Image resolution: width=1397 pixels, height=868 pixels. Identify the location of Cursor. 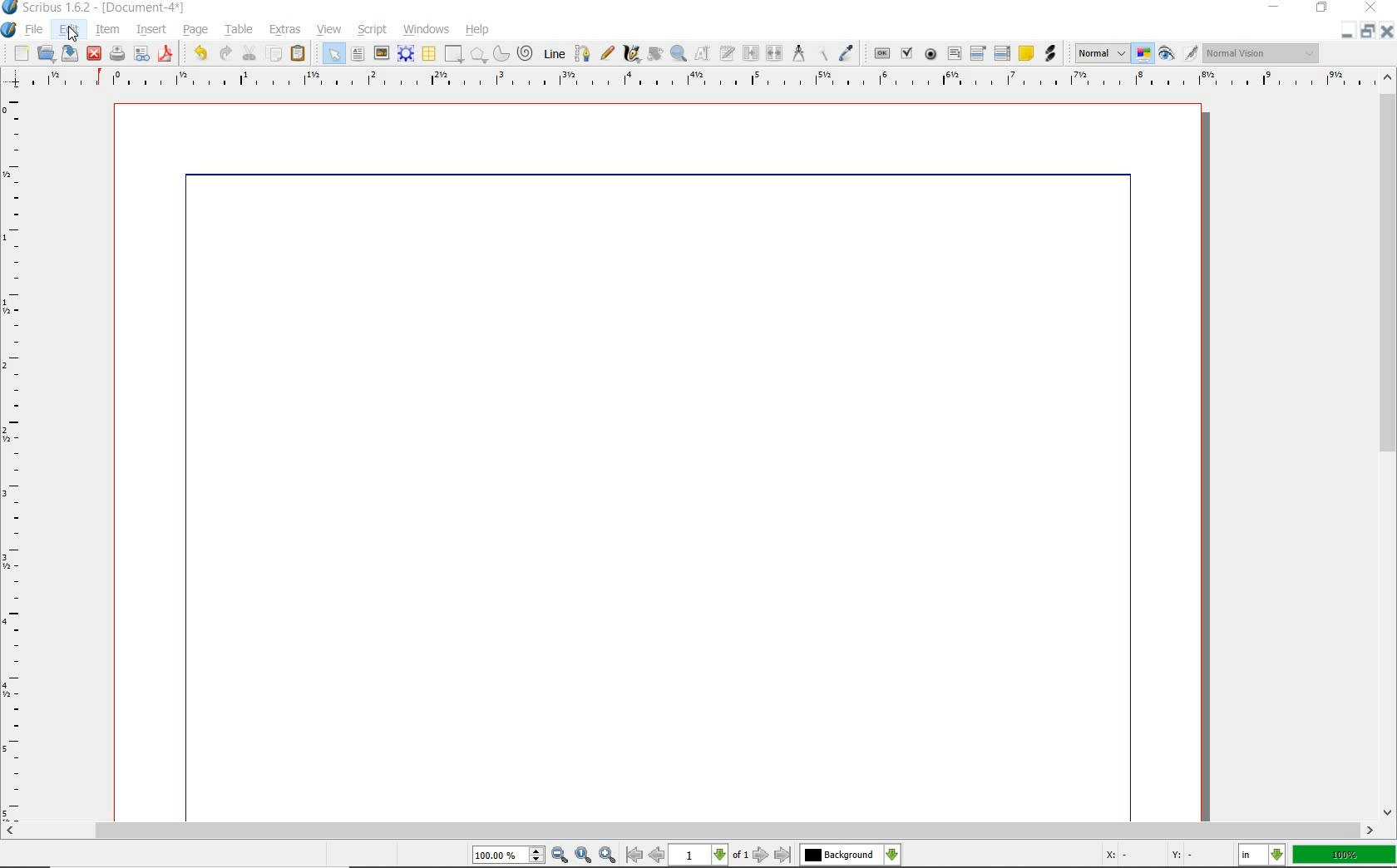
(73, 35).